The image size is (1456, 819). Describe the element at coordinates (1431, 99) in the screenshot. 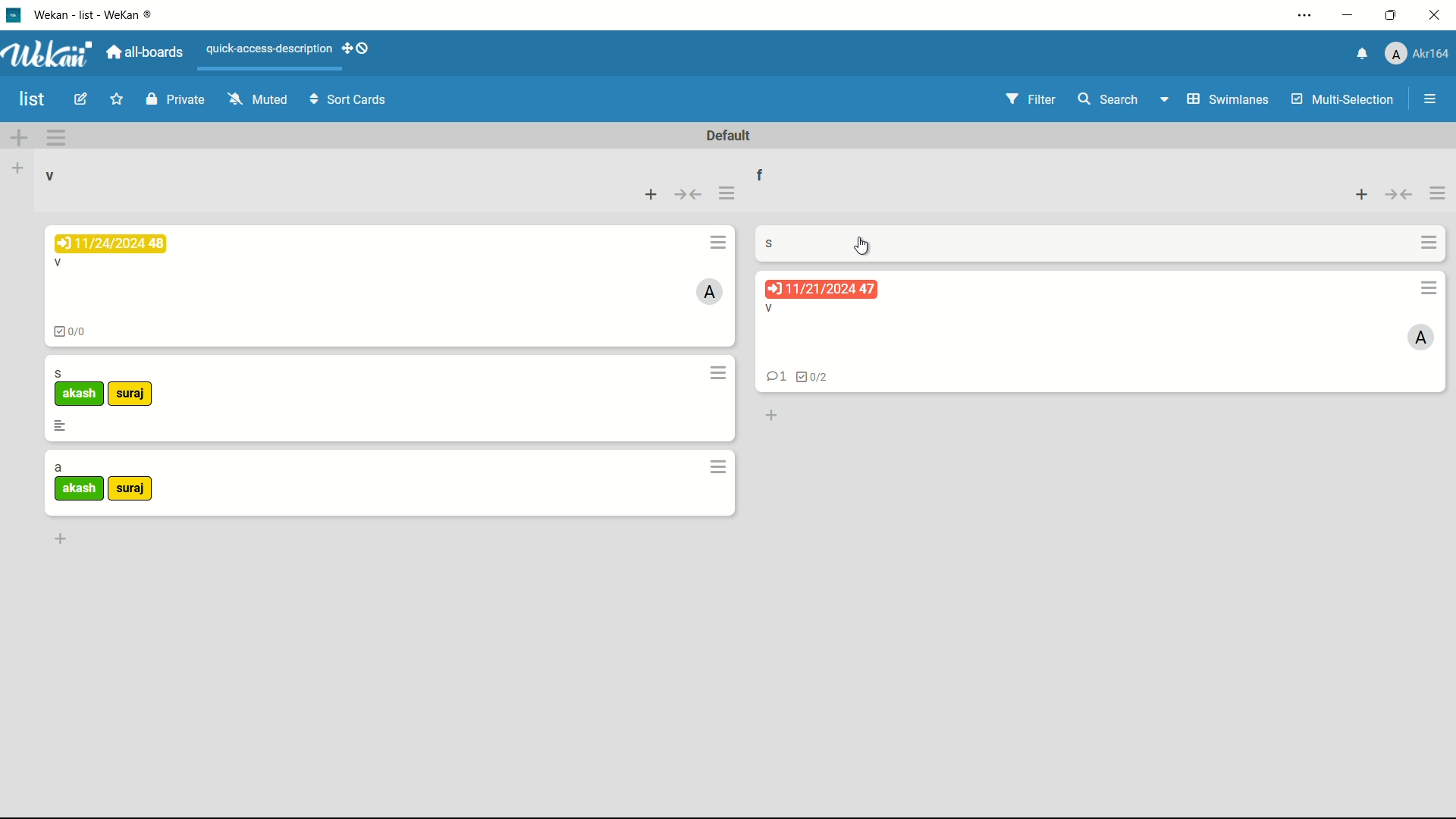

I see `show/hide sidebar` at that location.